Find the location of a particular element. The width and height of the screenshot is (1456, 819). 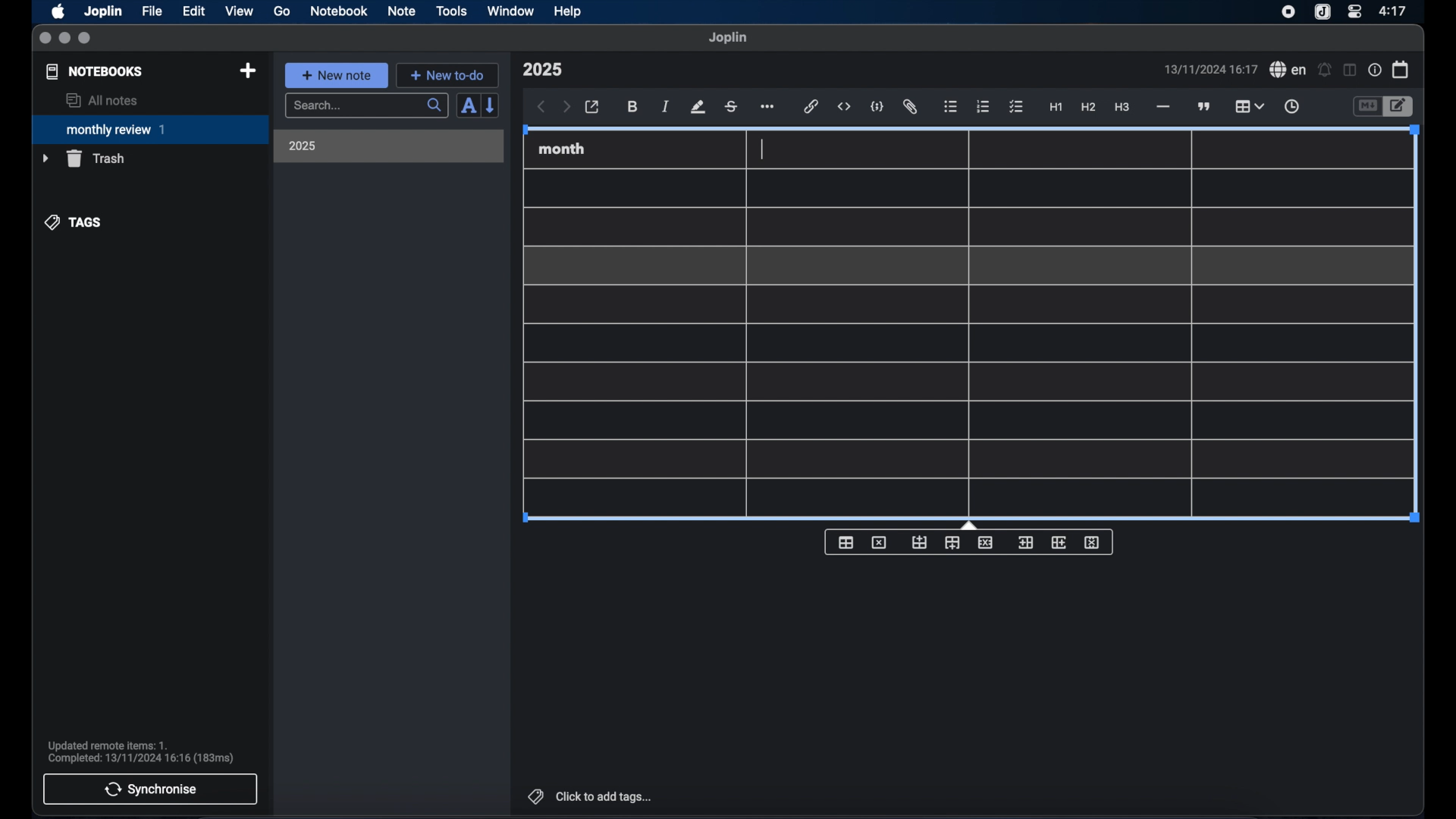

hyperlink is located at coordinates (811, 106).